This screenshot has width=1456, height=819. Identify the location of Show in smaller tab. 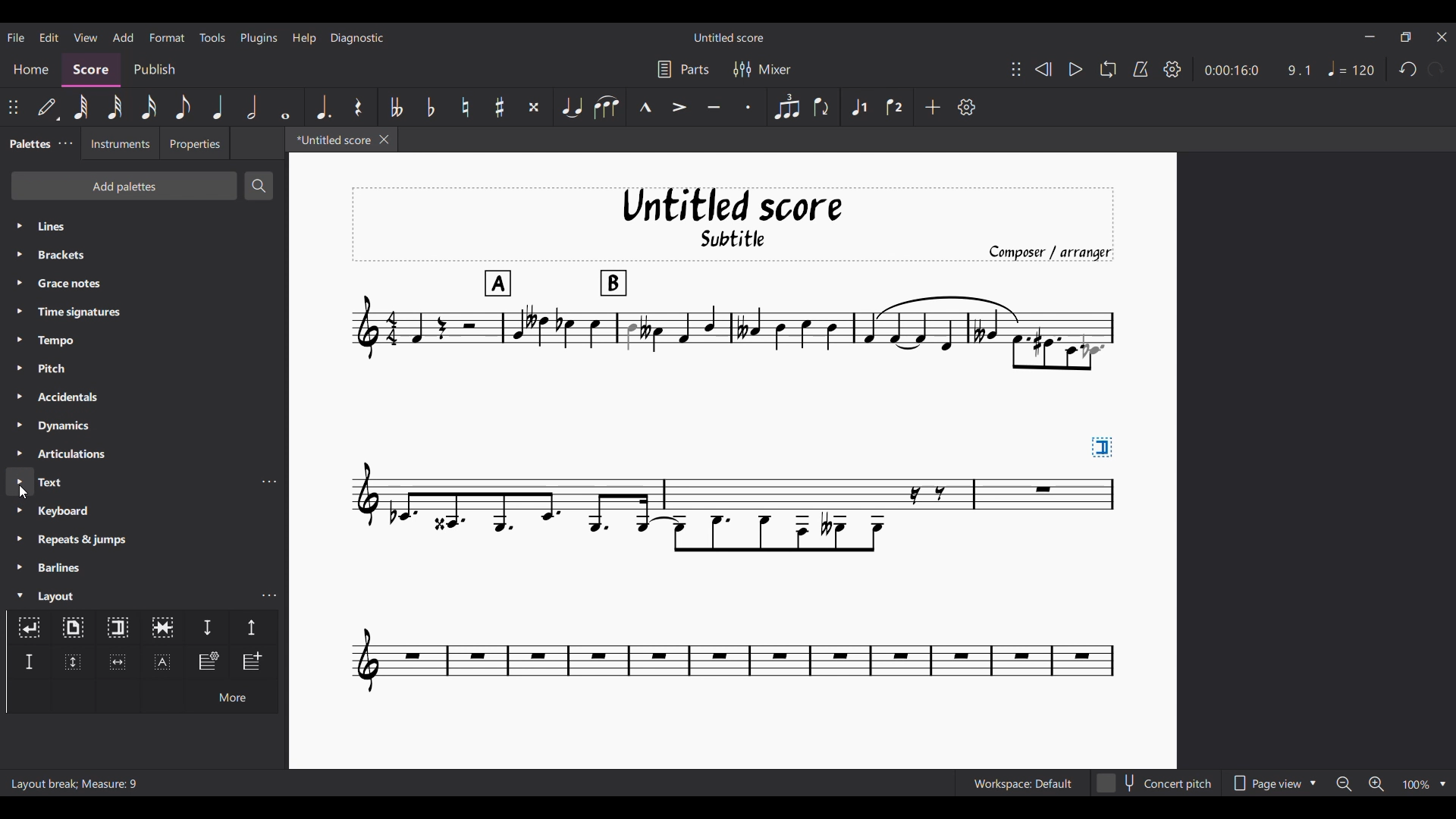
(1405, 37).